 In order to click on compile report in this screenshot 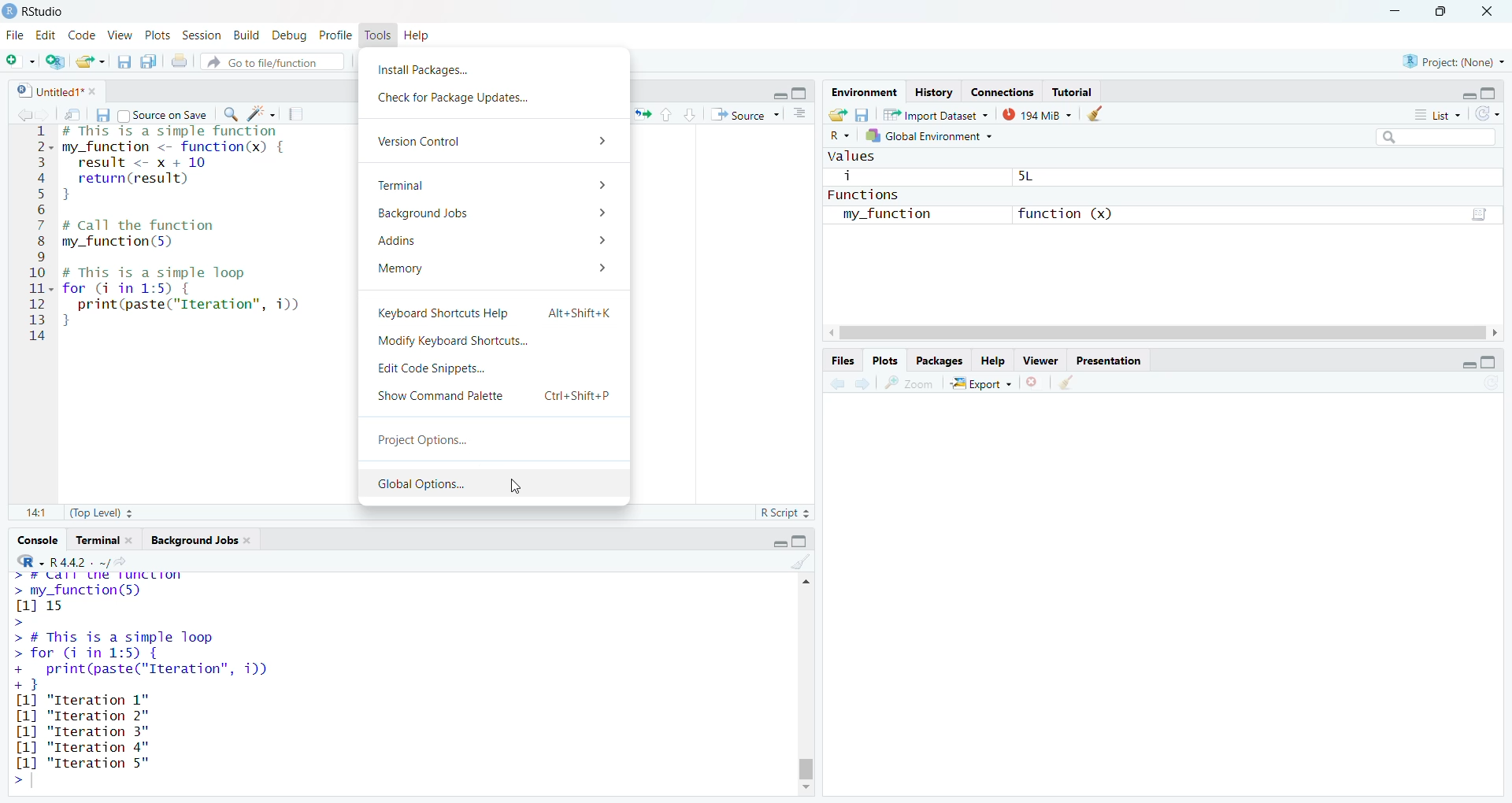, I will do `click(300, 112)`.